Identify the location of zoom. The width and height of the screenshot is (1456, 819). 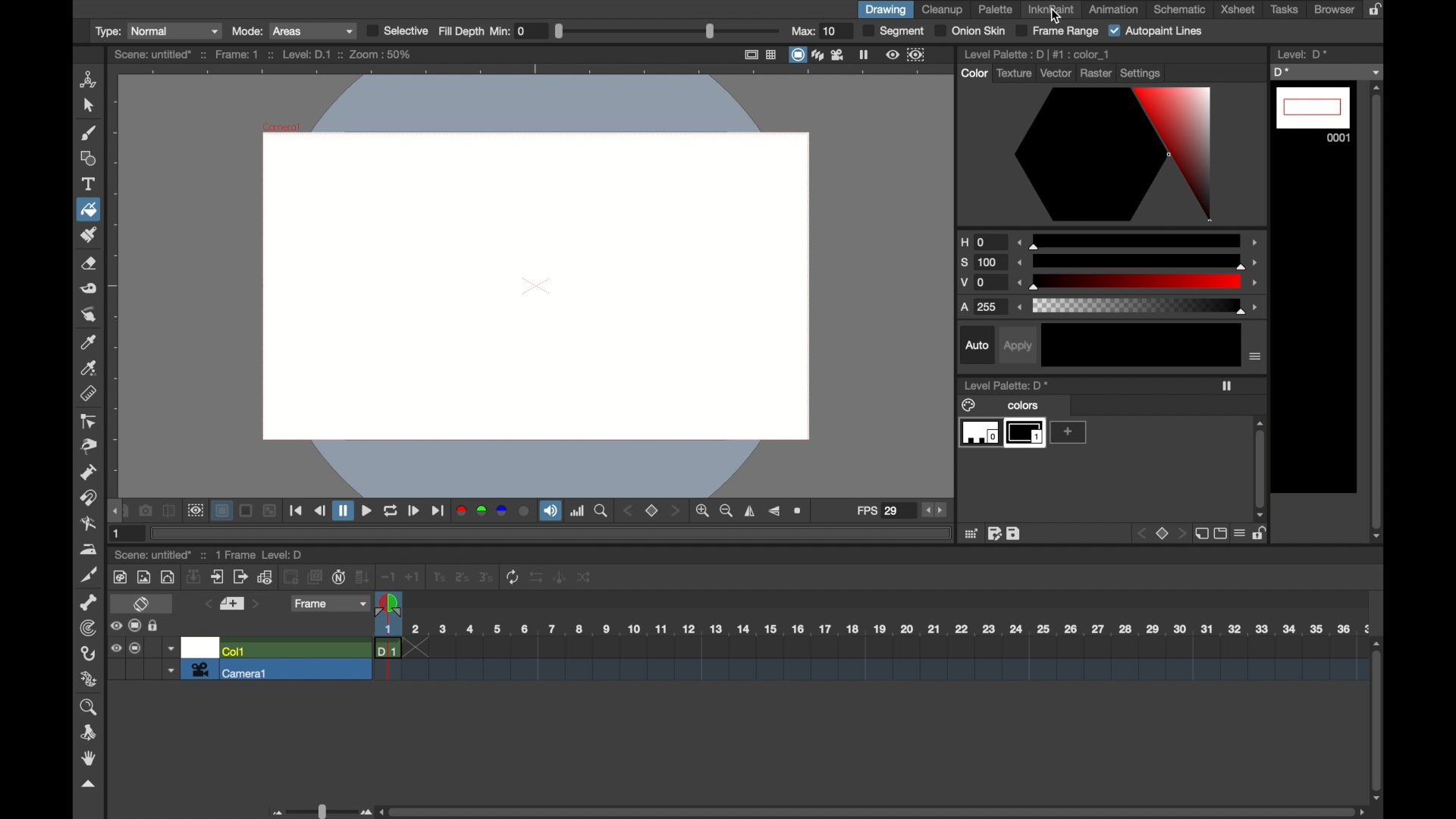
(87, 708).